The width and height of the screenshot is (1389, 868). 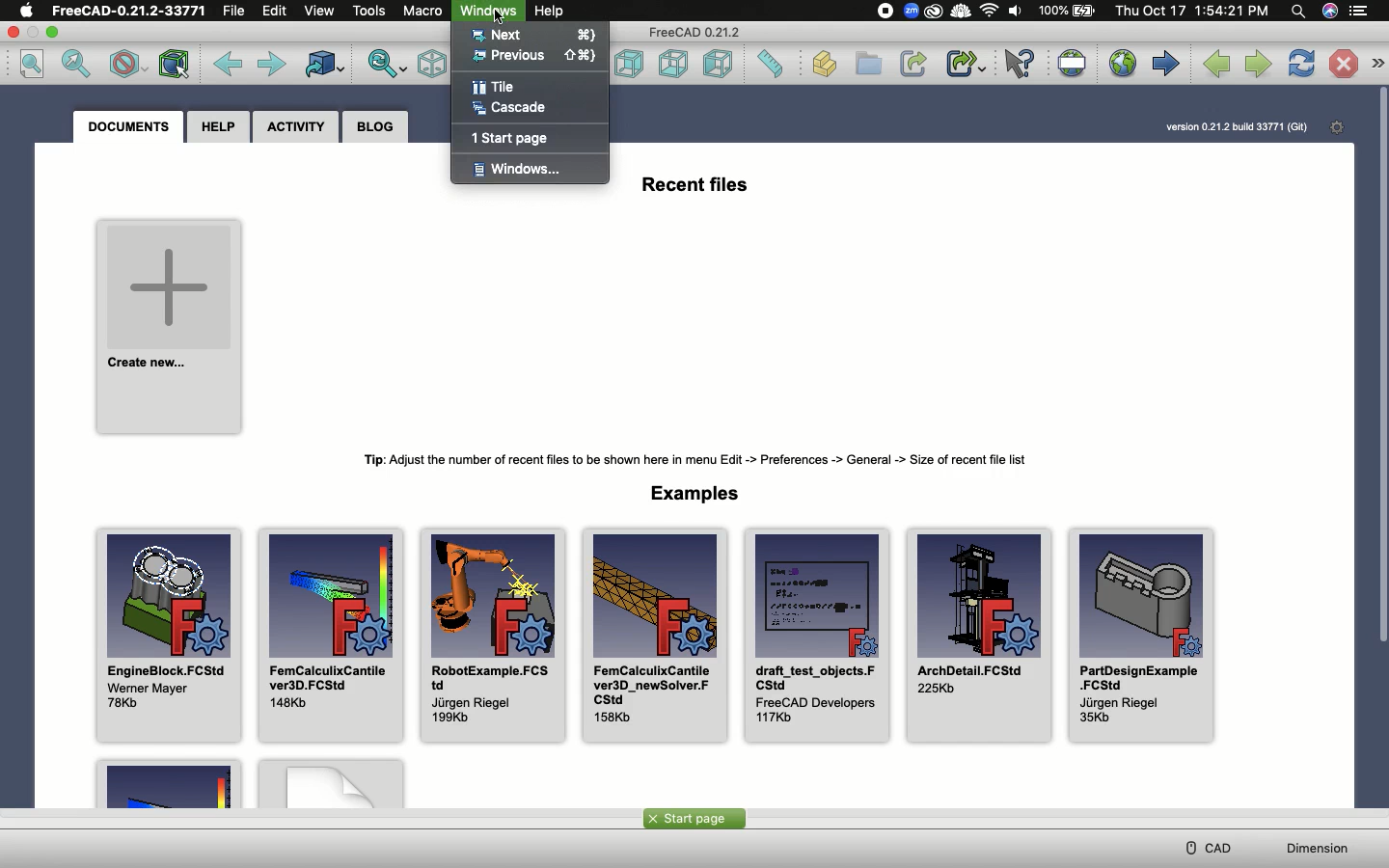 I want to click on Refresh web page, so click(x=1302, y=64).